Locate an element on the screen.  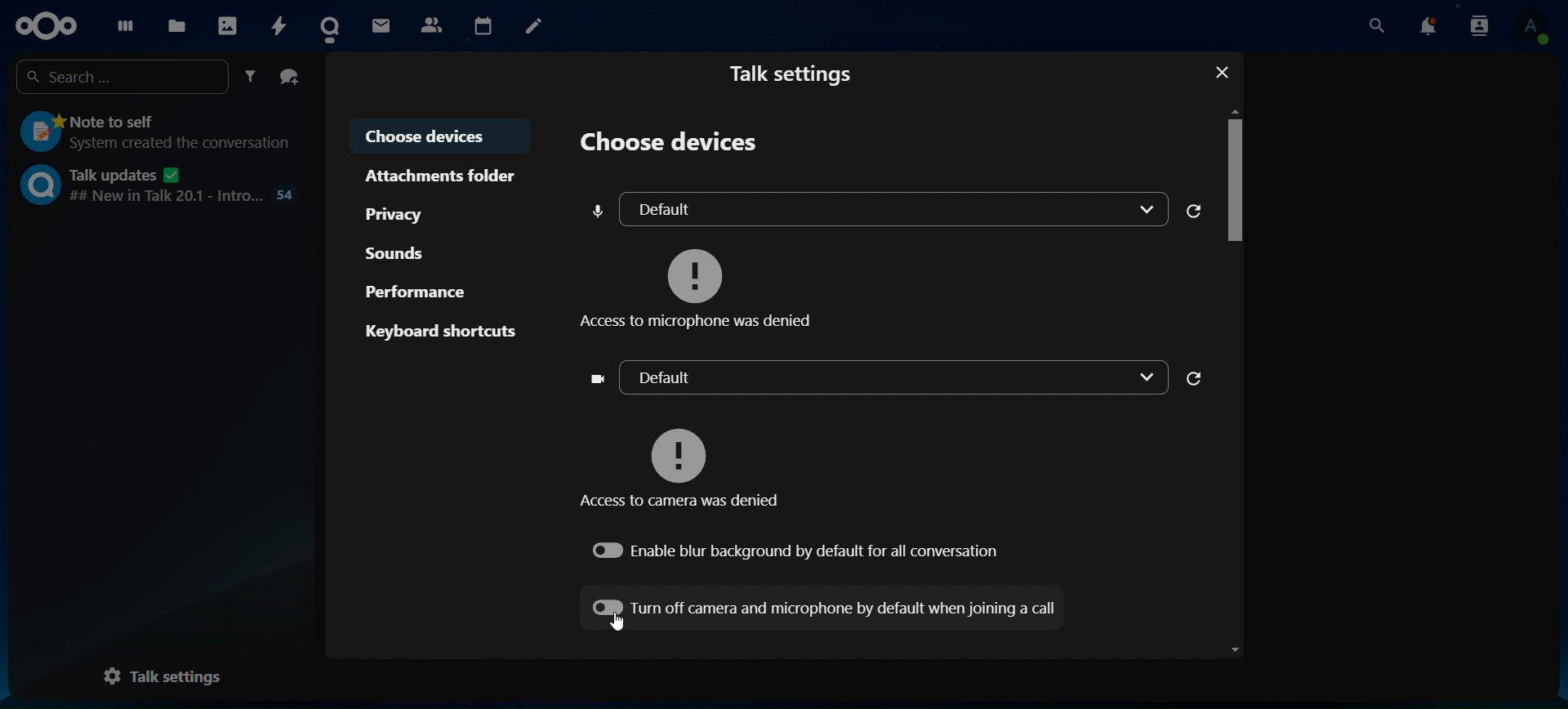
search is located at coordinates (1374, 27).